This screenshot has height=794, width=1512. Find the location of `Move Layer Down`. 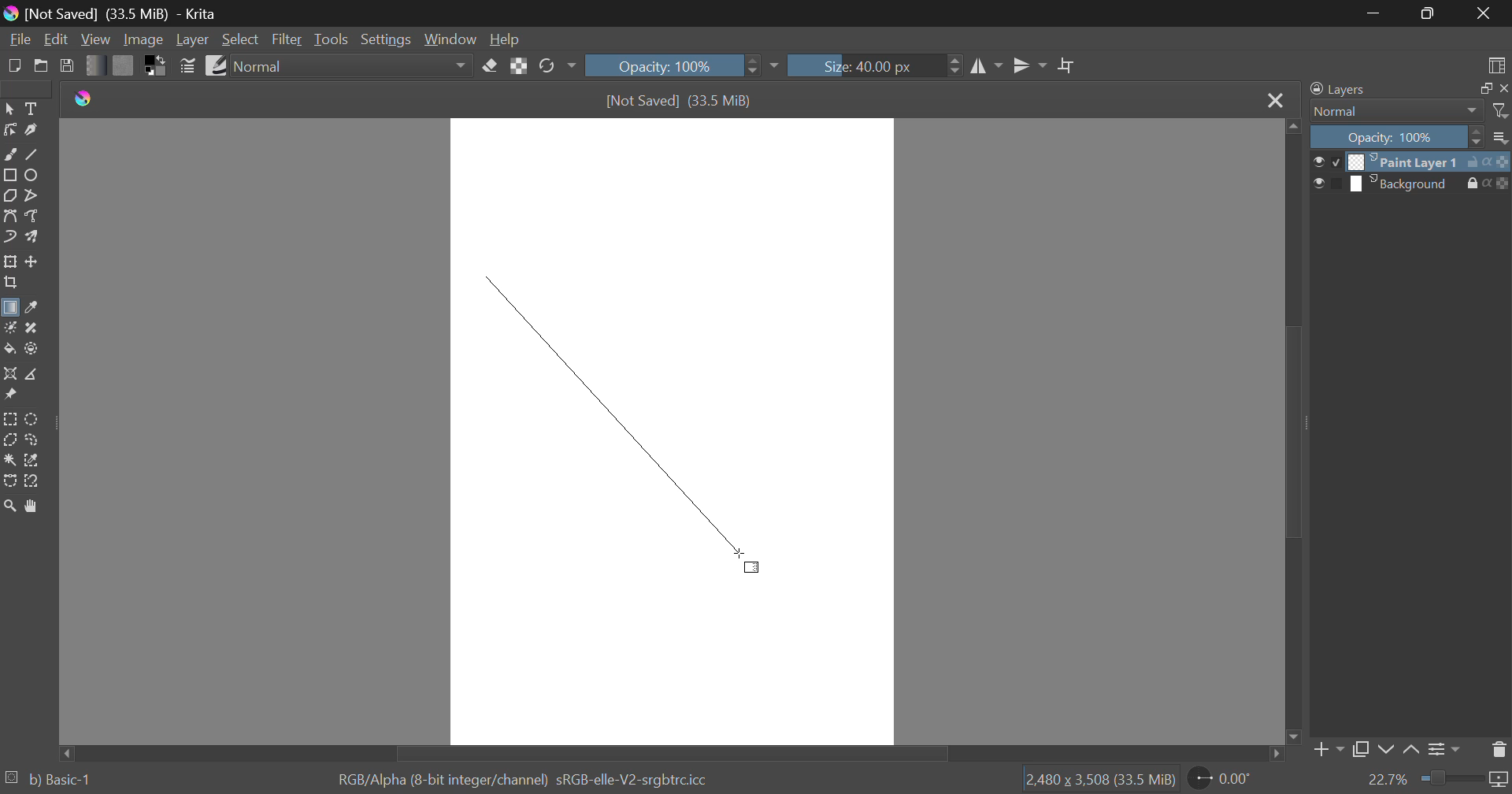

Move Layer Down is located at coordinates (1386, 751).